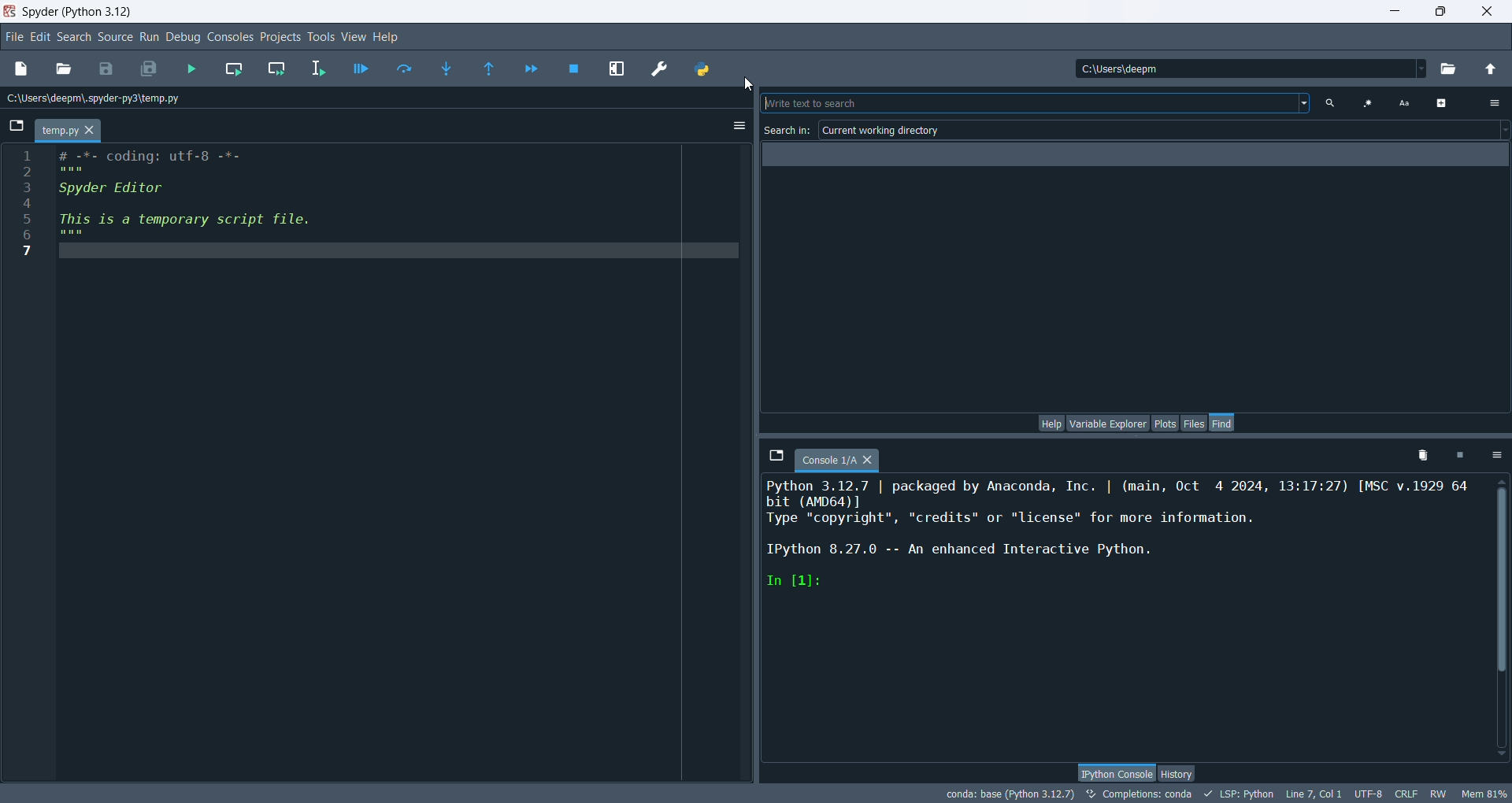  I want to click on step into function, so click(446, 68).